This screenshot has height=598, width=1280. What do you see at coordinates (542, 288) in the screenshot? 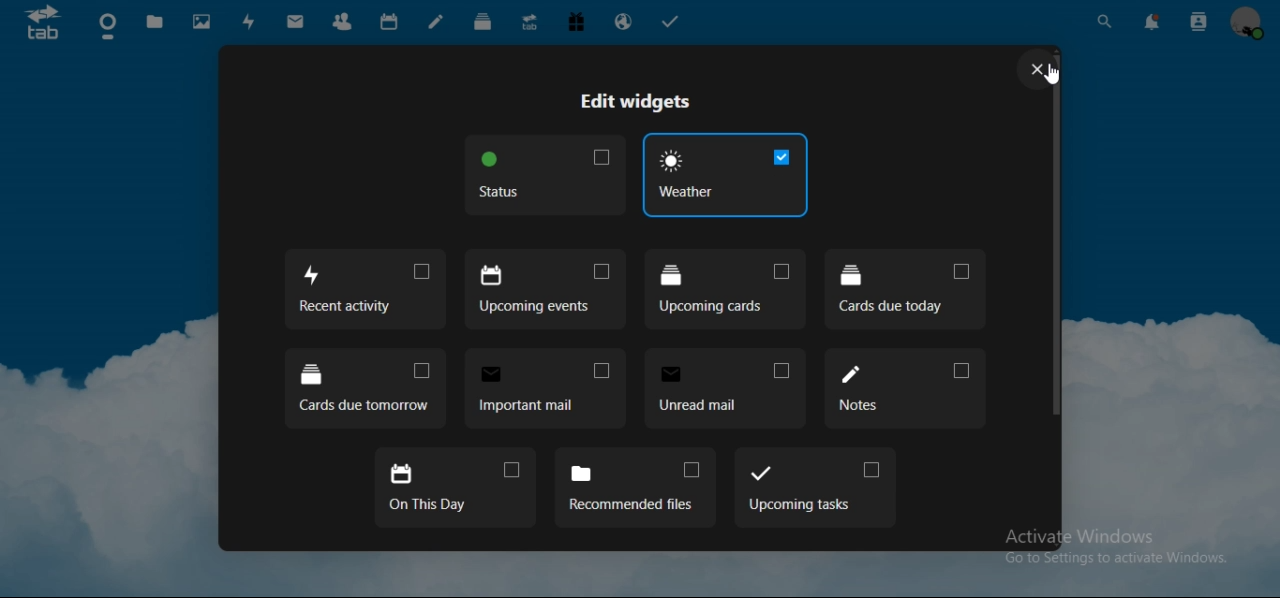
I see `upcoming events` at bounding box center [542, 288].